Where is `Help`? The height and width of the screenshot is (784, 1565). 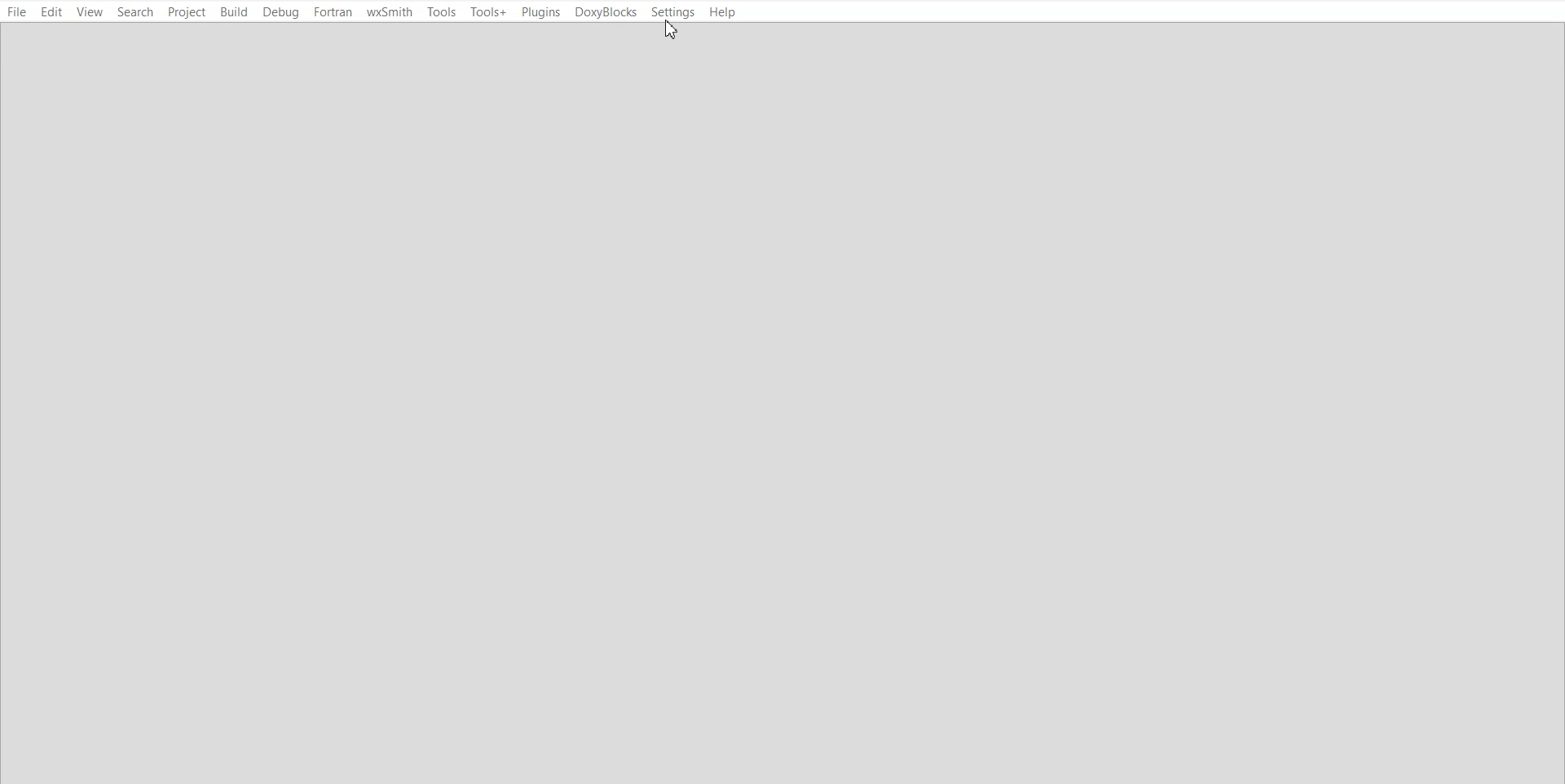
Help is located at coordinates (725, 12).